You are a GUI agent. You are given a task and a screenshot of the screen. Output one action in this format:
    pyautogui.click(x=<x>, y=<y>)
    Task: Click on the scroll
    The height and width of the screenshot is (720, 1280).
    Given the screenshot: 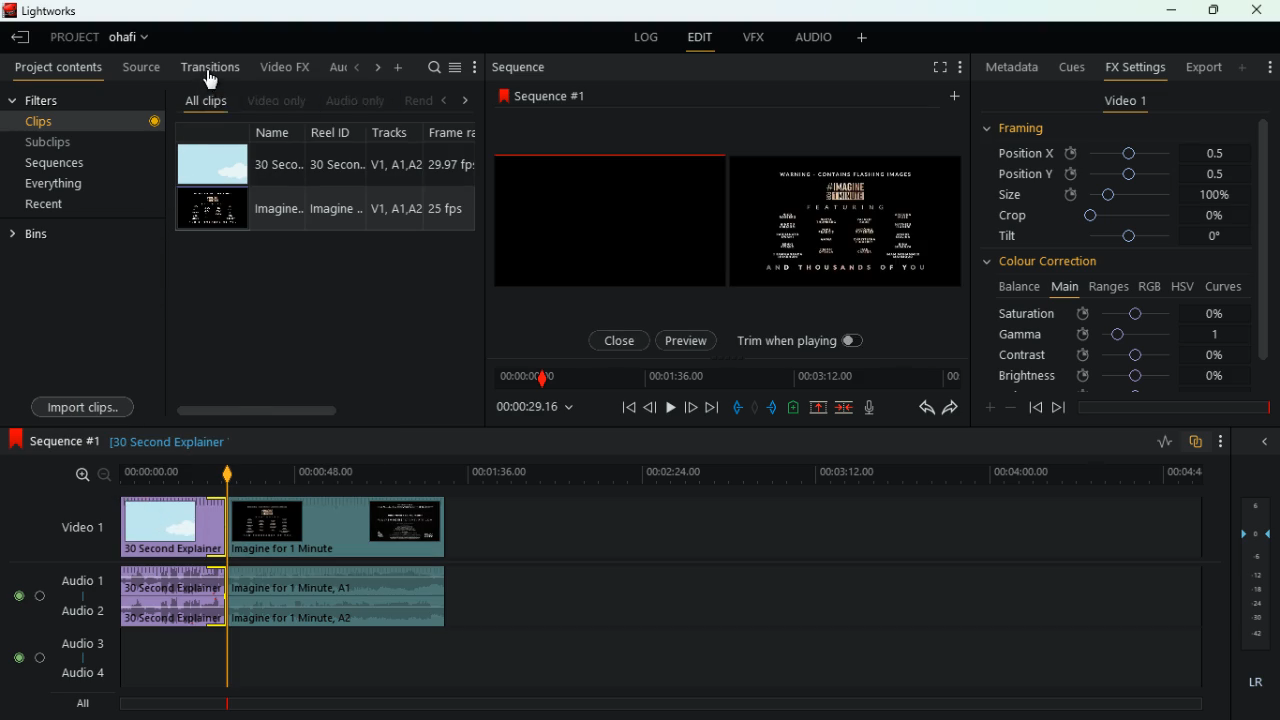 What is the action you would take?
    pyautogui.click(x=321, y=410)
    